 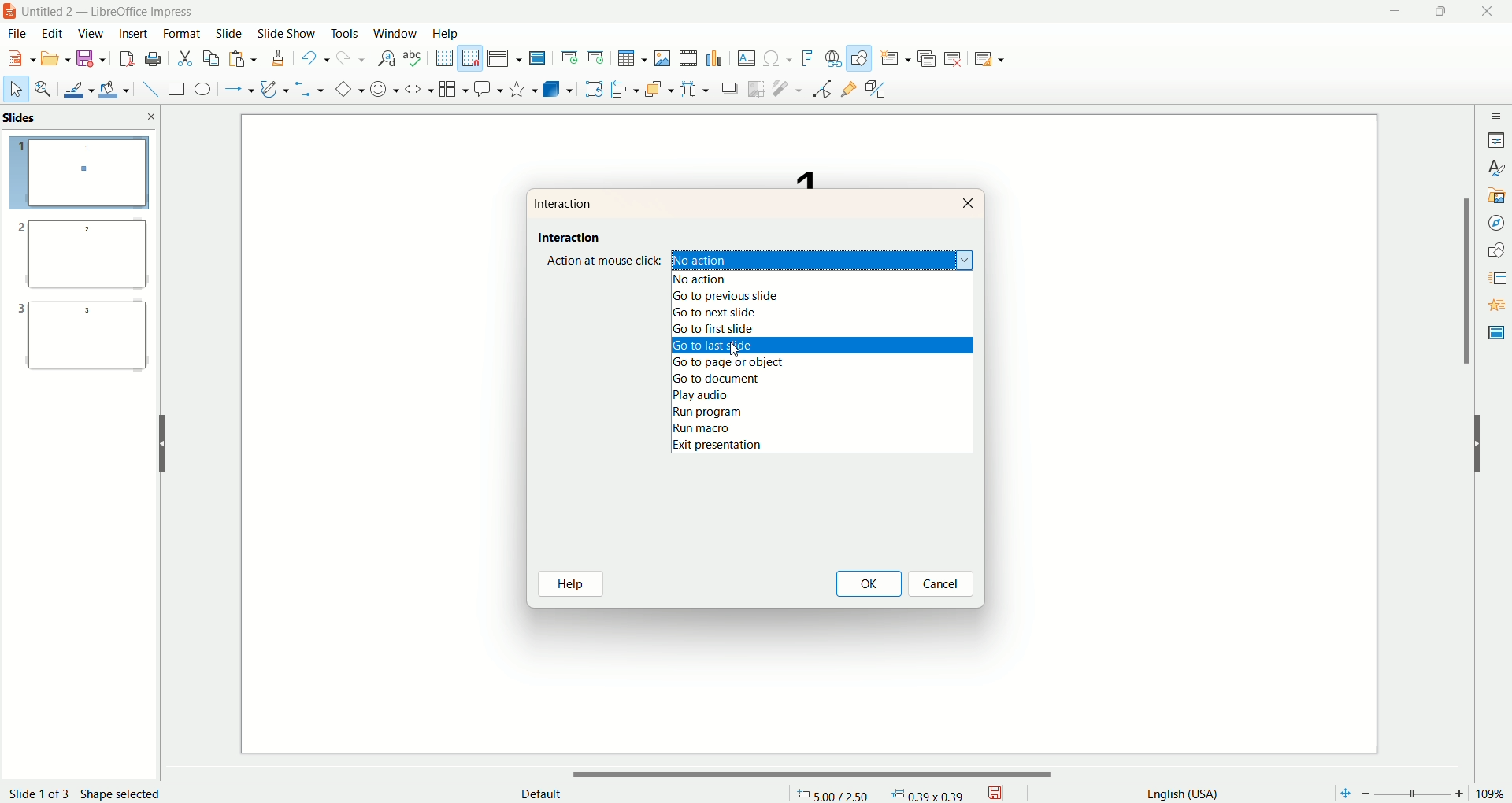 What do you see at coordinates (1395, 12) in the screenshot?
I see `minimize` at bounding box center [1395, 12].